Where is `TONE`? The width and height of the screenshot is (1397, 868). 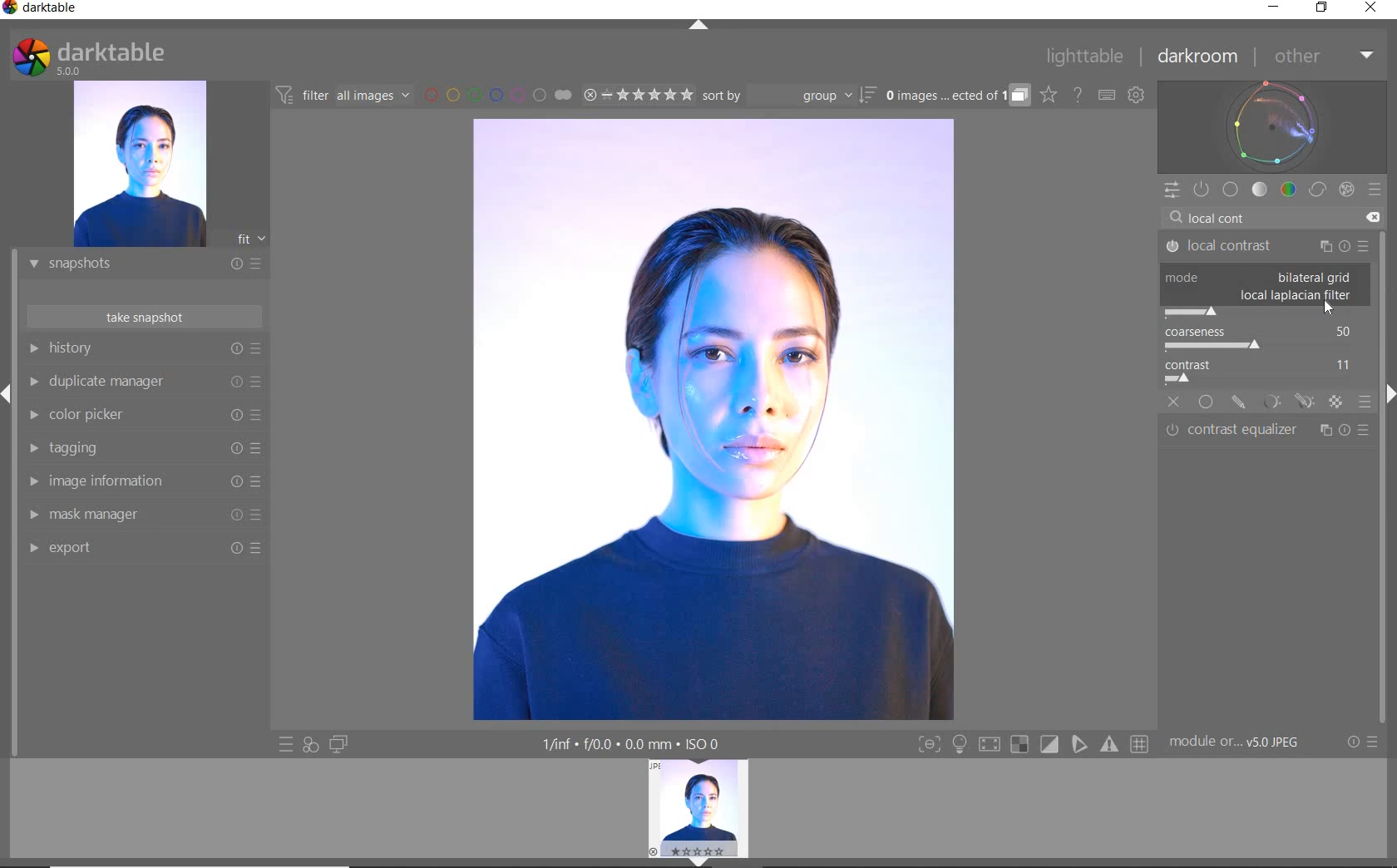 TONE is located at coordinates (1261, 190).